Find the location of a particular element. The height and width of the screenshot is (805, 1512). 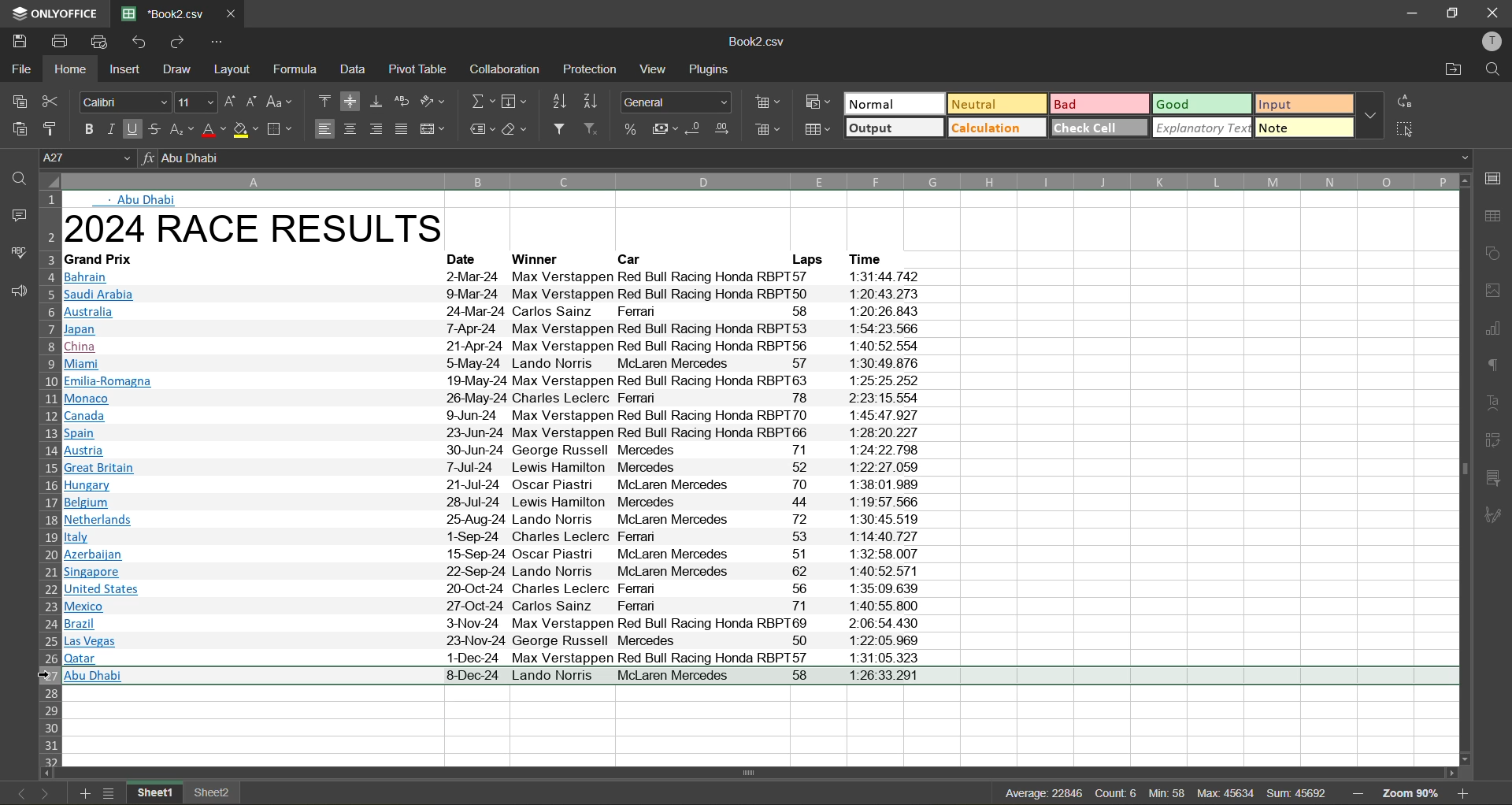

clear is located at coordinates (516, 129).